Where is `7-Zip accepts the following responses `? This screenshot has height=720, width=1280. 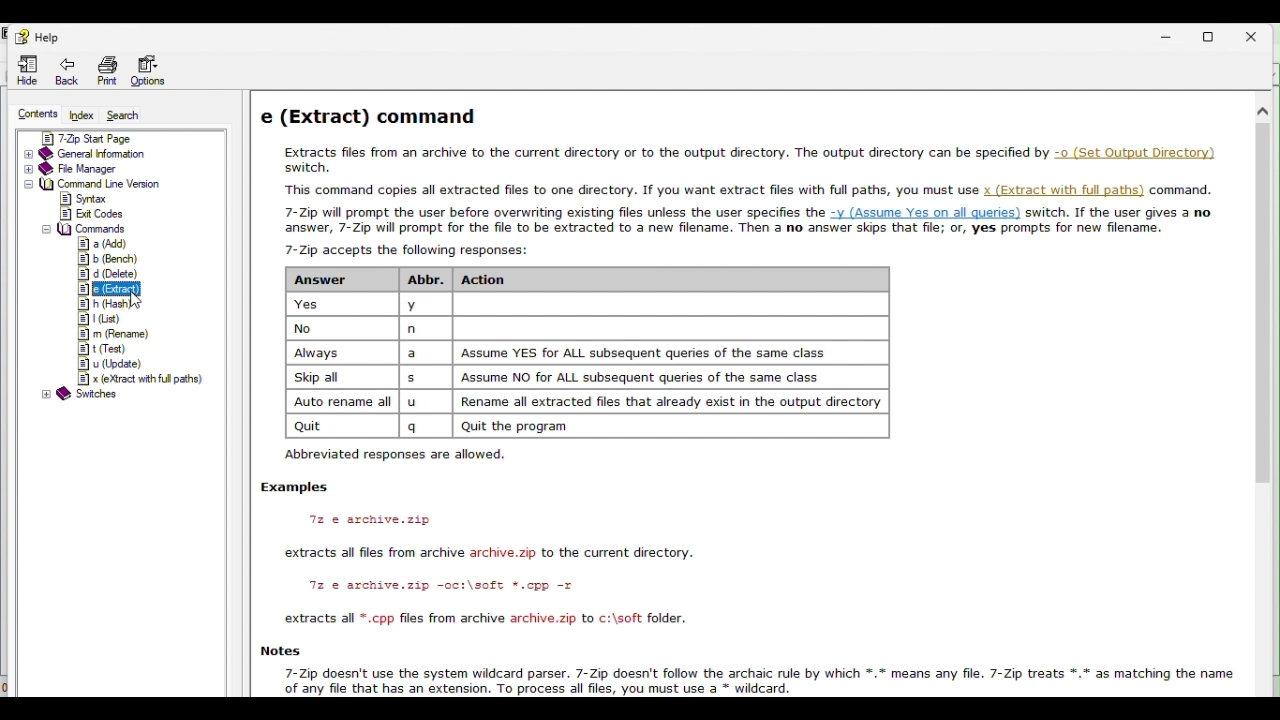
7-Zip accepts the following responses  is located at coordinates (619, 357).